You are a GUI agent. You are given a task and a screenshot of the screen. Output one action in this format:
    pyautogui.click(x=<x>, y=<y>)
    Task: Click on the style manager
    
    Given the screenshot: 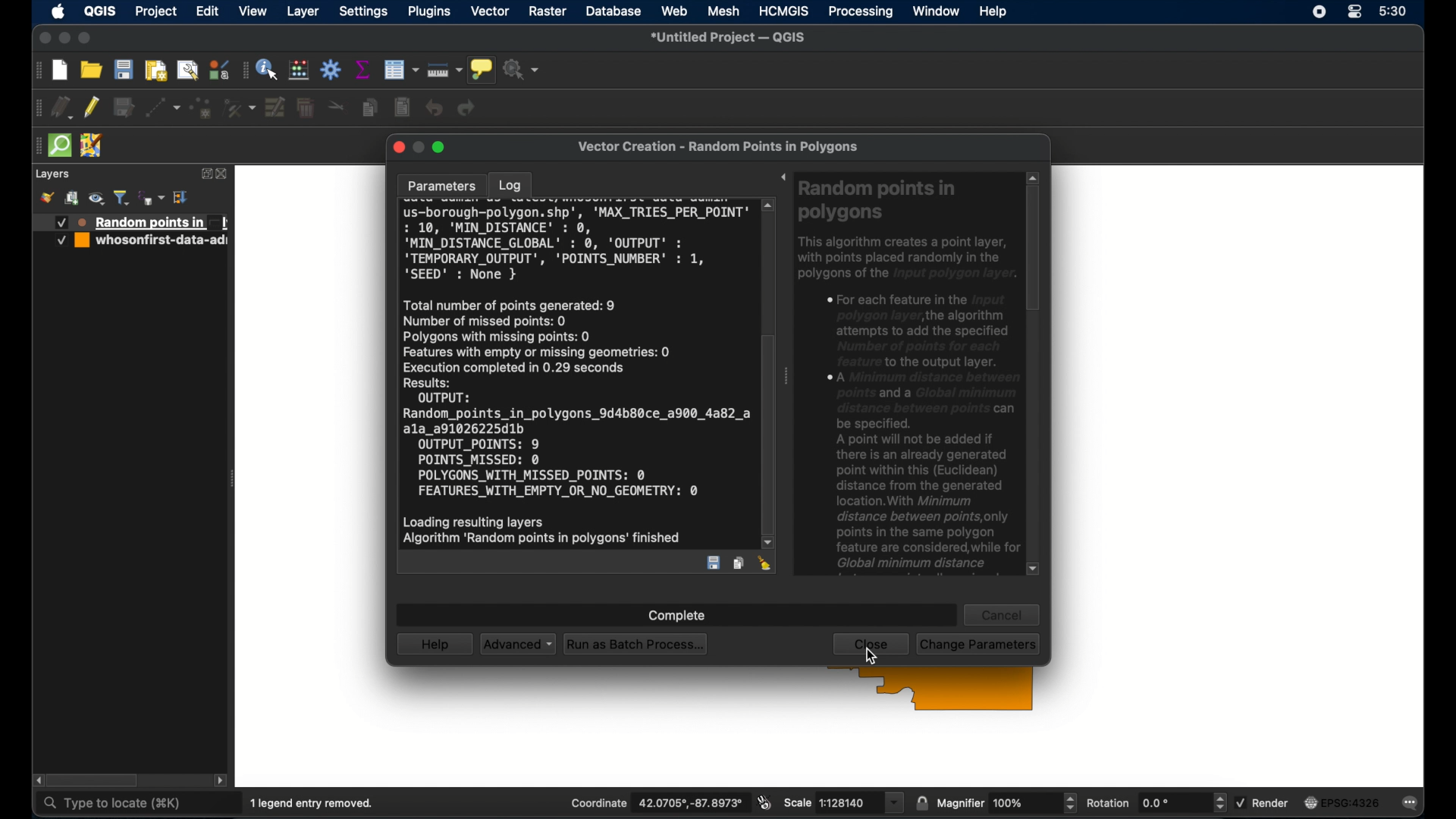 What is the action you would take?
    pyautogui.click(x=220, y=68)
    